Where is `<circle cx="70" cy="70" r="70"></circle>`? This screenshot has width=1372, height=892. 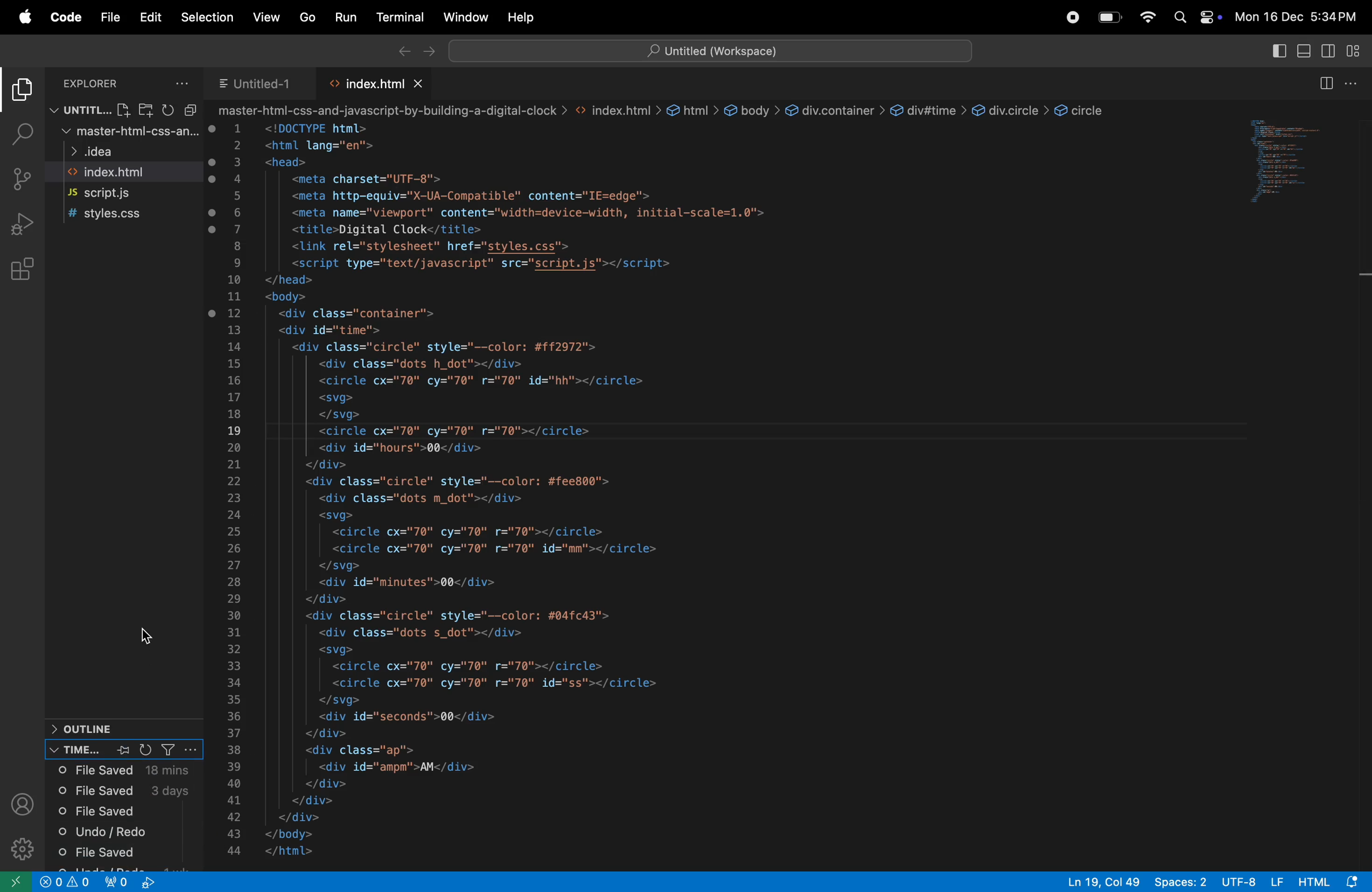
<circle cx="70" cy="70" r="70"></circle> is located at coordinates (483, 665).